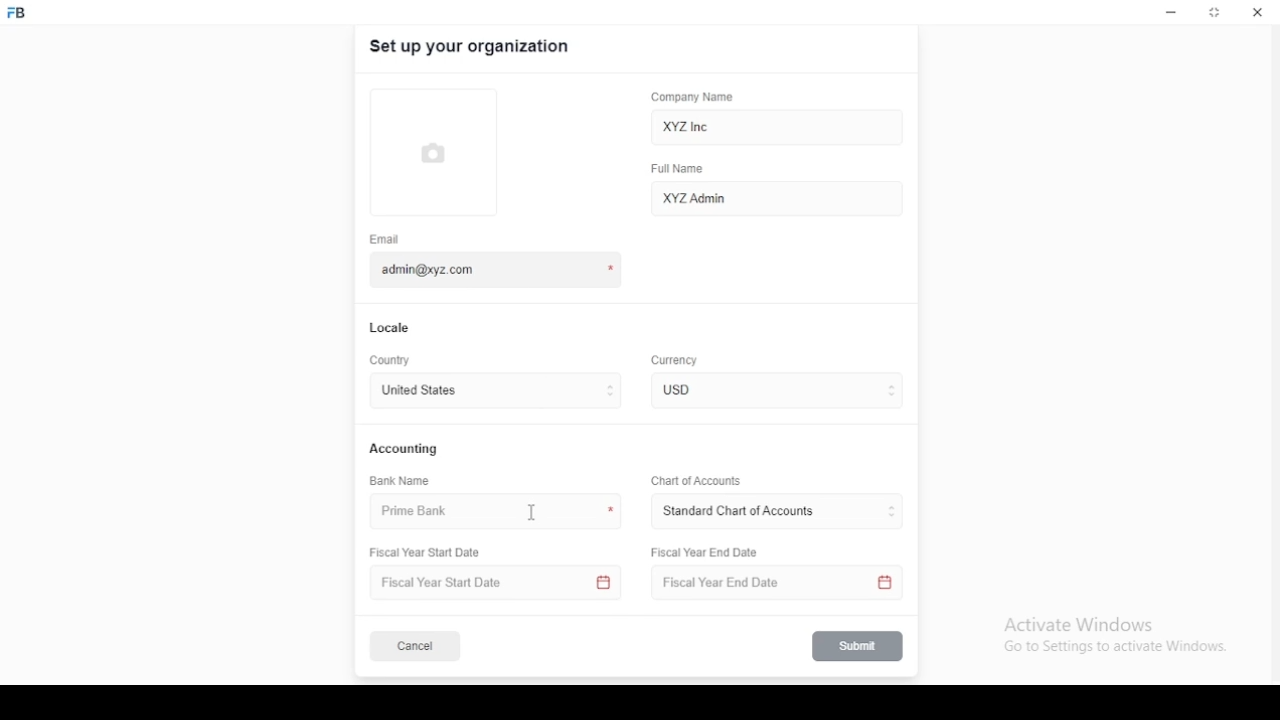 The image size is (1280, 720). I want to click on Fiscal Year End Date, so click(706, 552).